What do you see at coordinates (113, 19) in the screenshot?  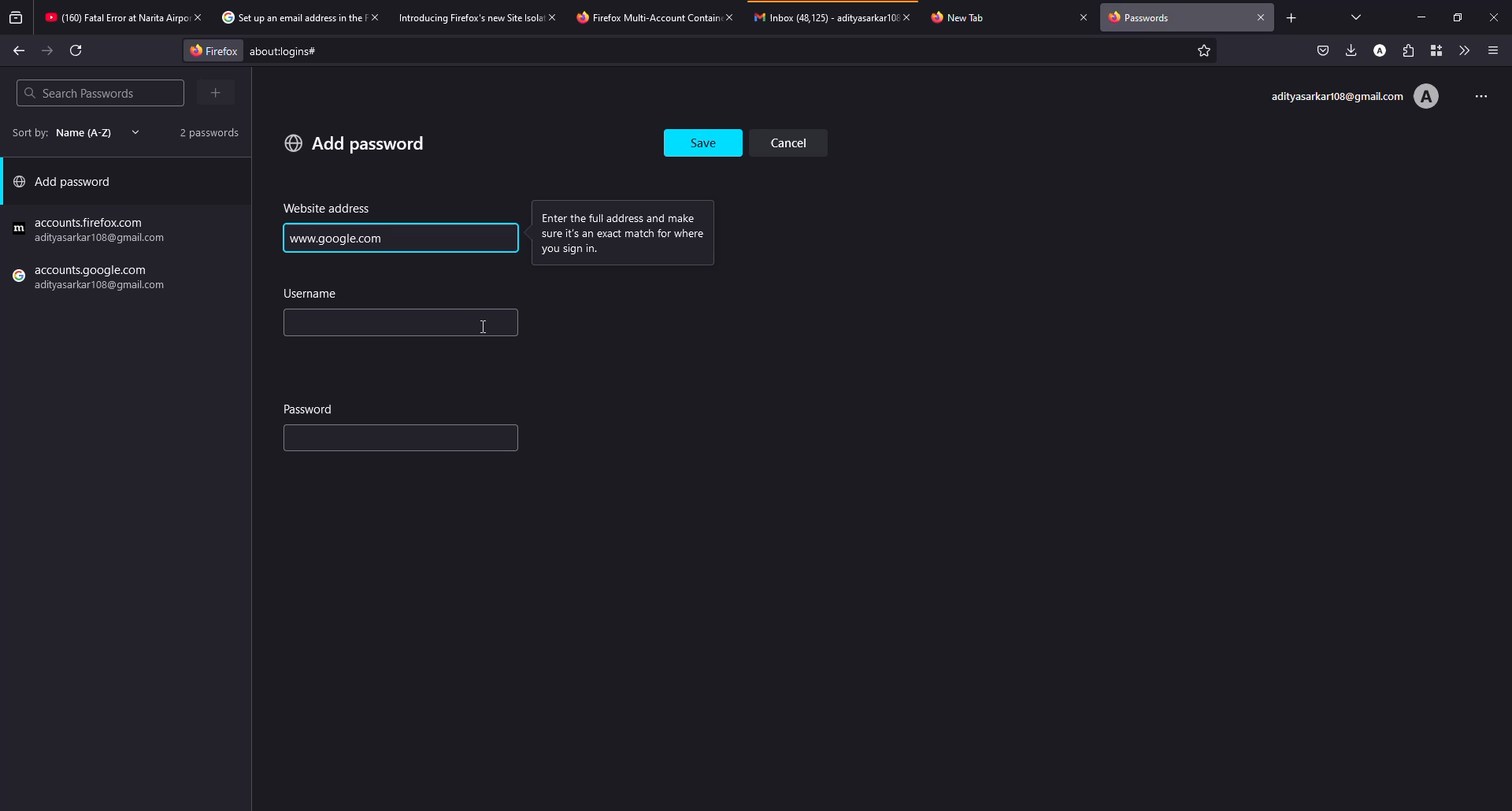 I see `tab` at bounding box center [113, 19].